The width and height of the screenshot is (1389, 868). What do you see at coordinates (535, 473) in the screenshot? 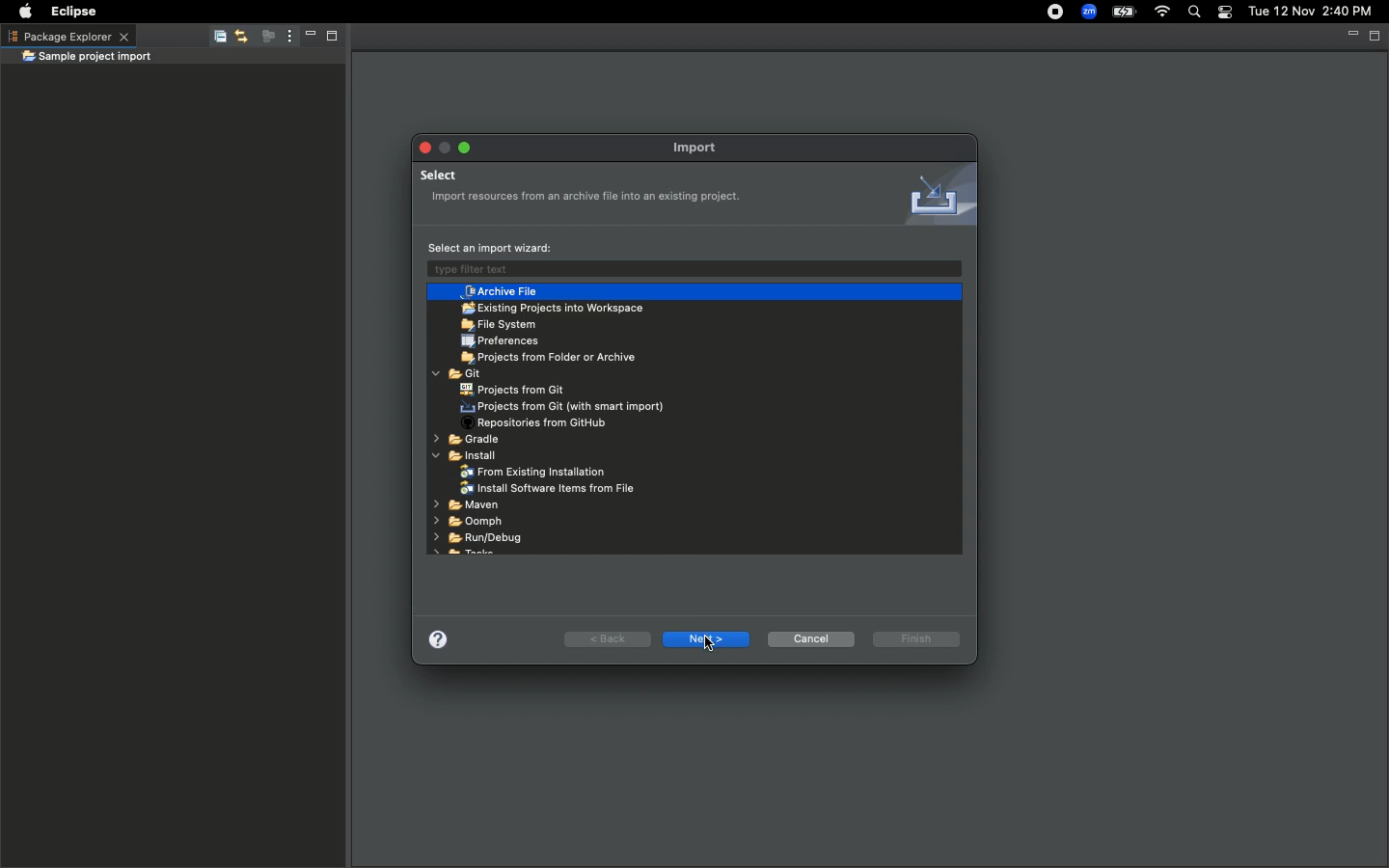
I see `From existing installation` at bounding box center [535, 473].